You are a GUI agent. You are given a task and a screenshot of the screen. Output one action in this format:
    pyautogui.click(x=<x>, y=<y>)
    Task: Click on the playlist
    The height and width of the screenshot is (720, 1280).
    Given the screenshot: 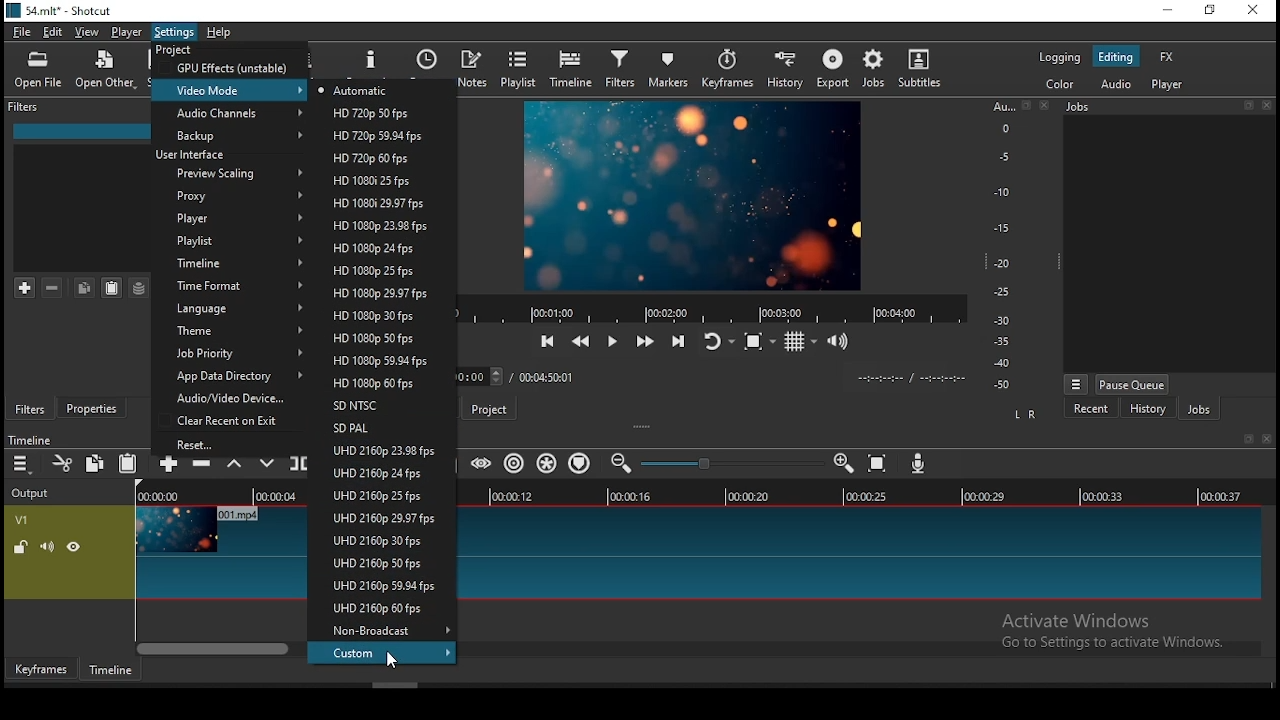 What is the action you would take?
    pyautogui.click(x=230, y=242)
    